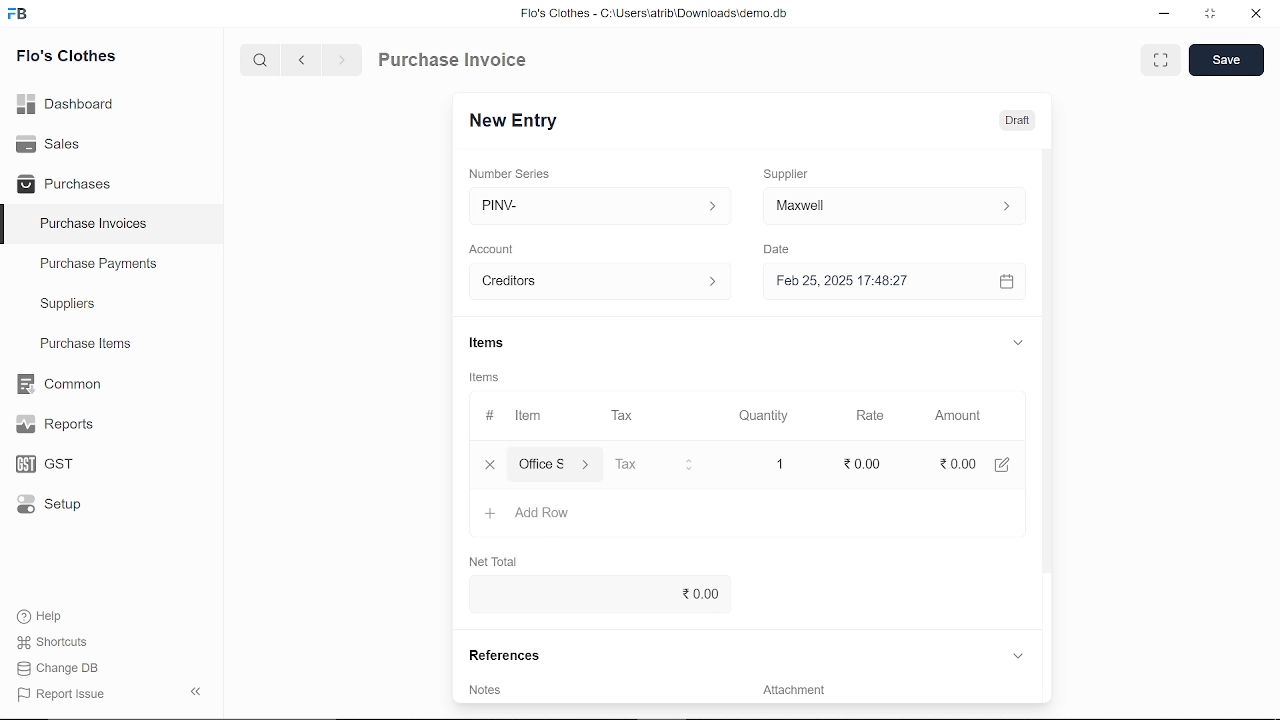 The height and width of the screenshot is (720, 1280). Describe the element at coordinates (518, 119) in the screenshot. I see `New Entry` at that location.